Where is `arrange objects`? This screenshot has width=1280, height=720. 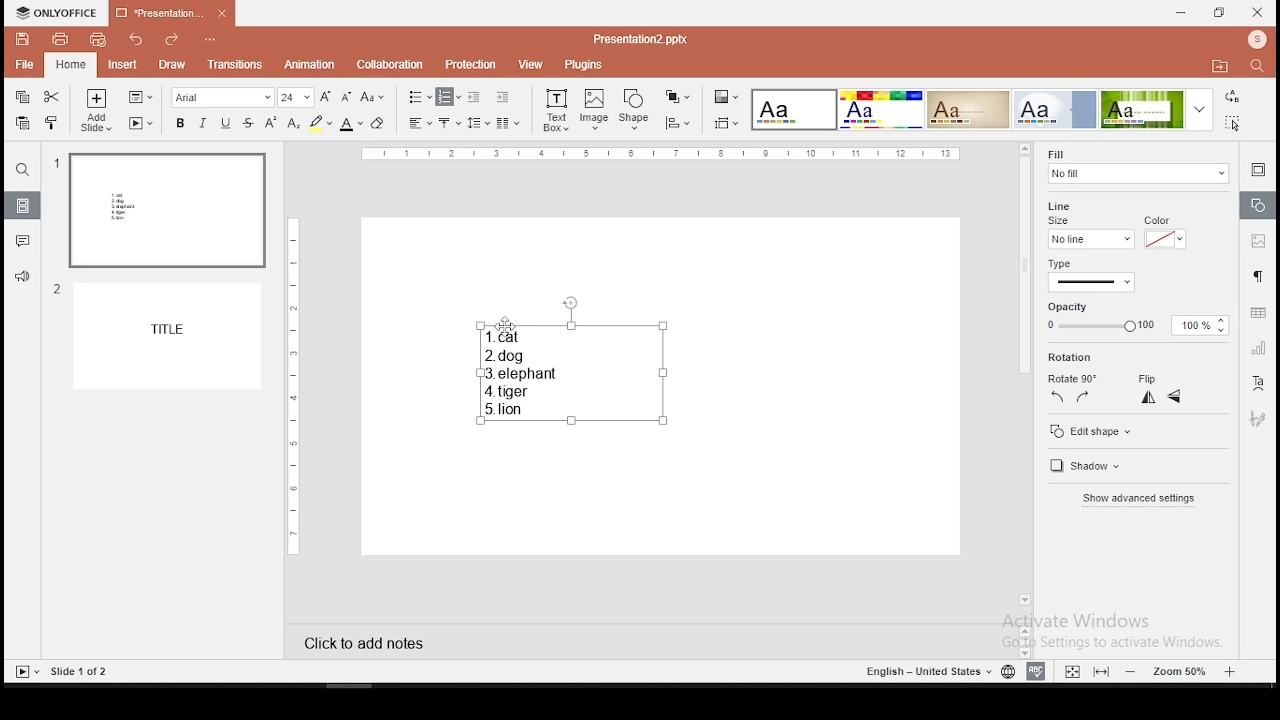 arrange objects is located at coordinates (677, 98).